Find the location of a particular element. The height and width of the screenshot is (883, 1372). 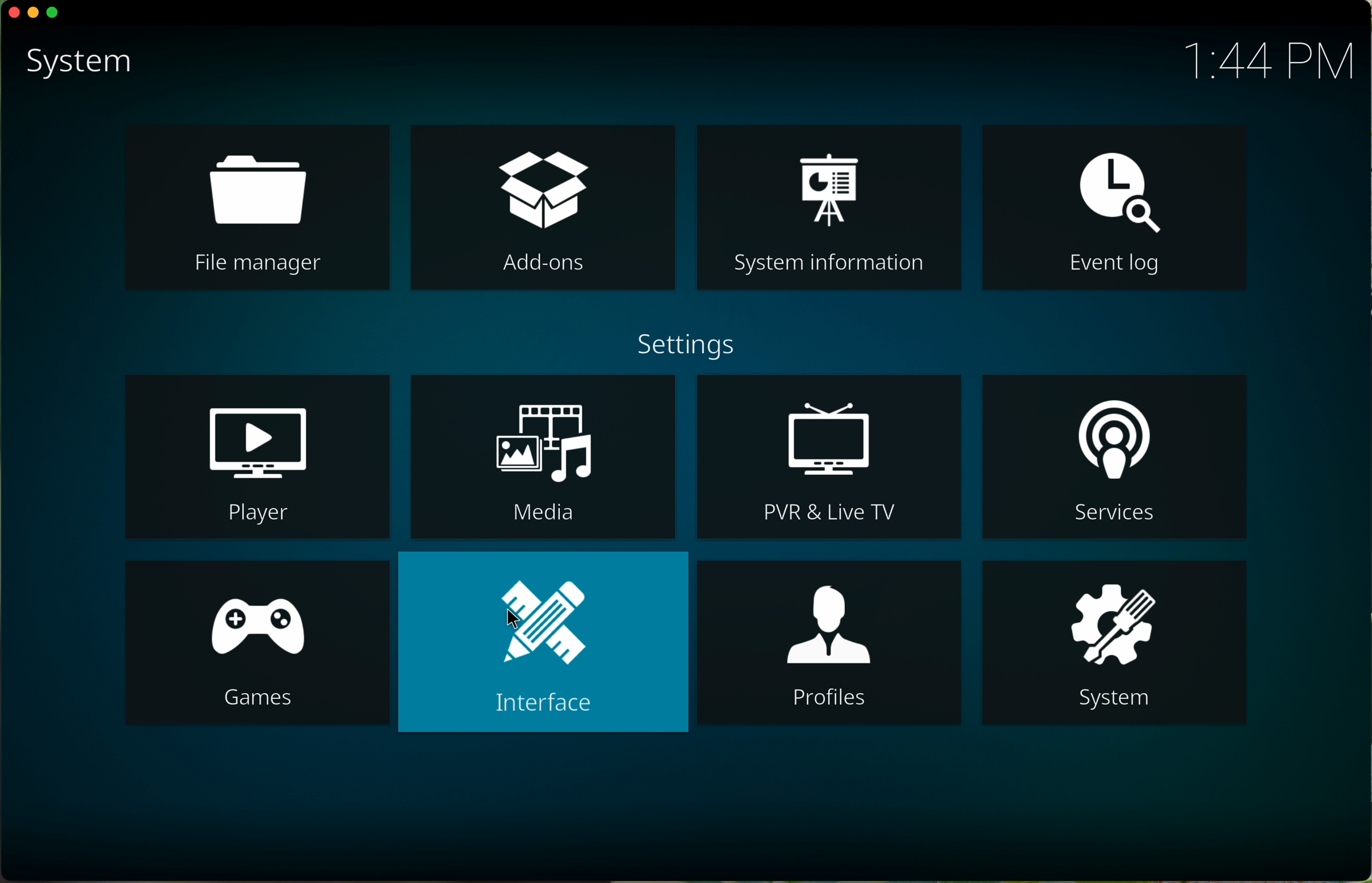

file manager is located at coordinates (259, 209).